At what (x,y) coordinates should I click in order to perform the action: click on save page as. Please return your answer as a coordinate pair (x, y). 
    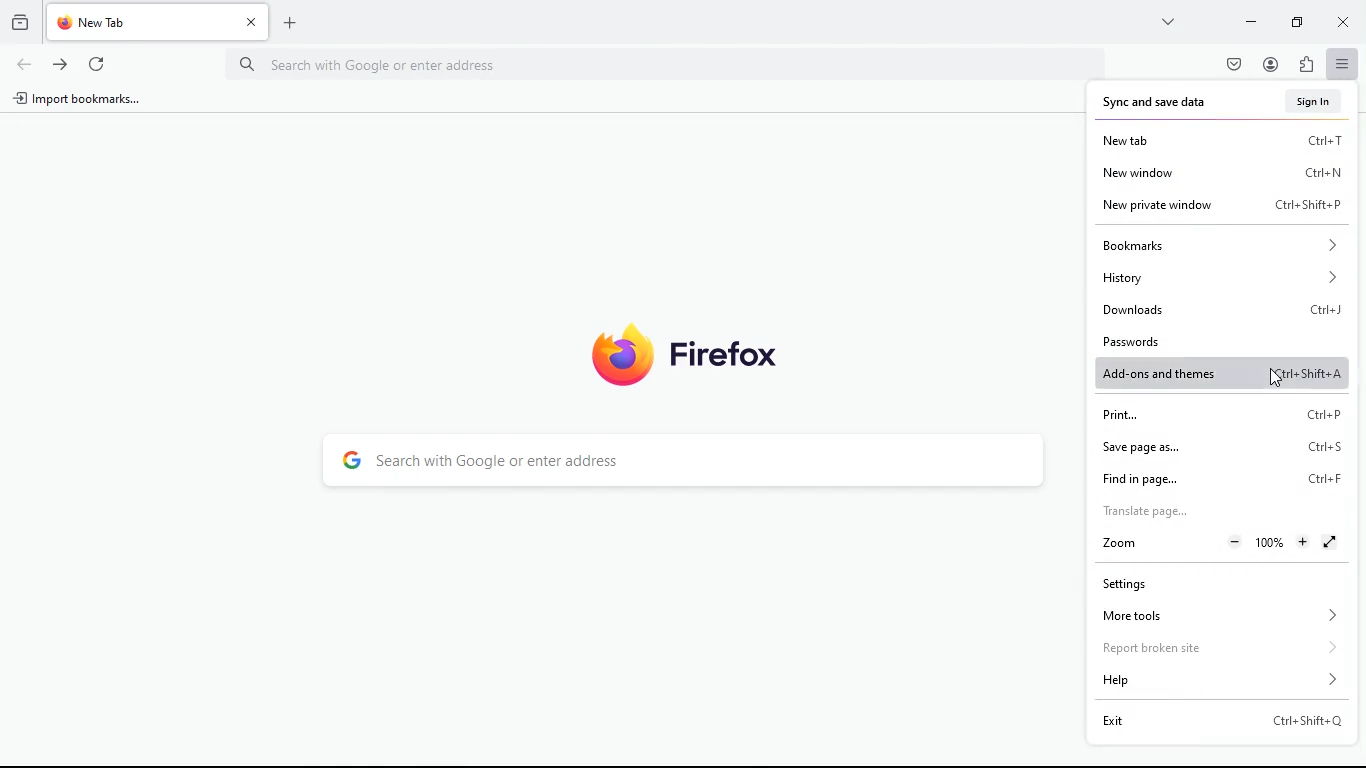
    Looking at the image, I should click on (1217, 447).